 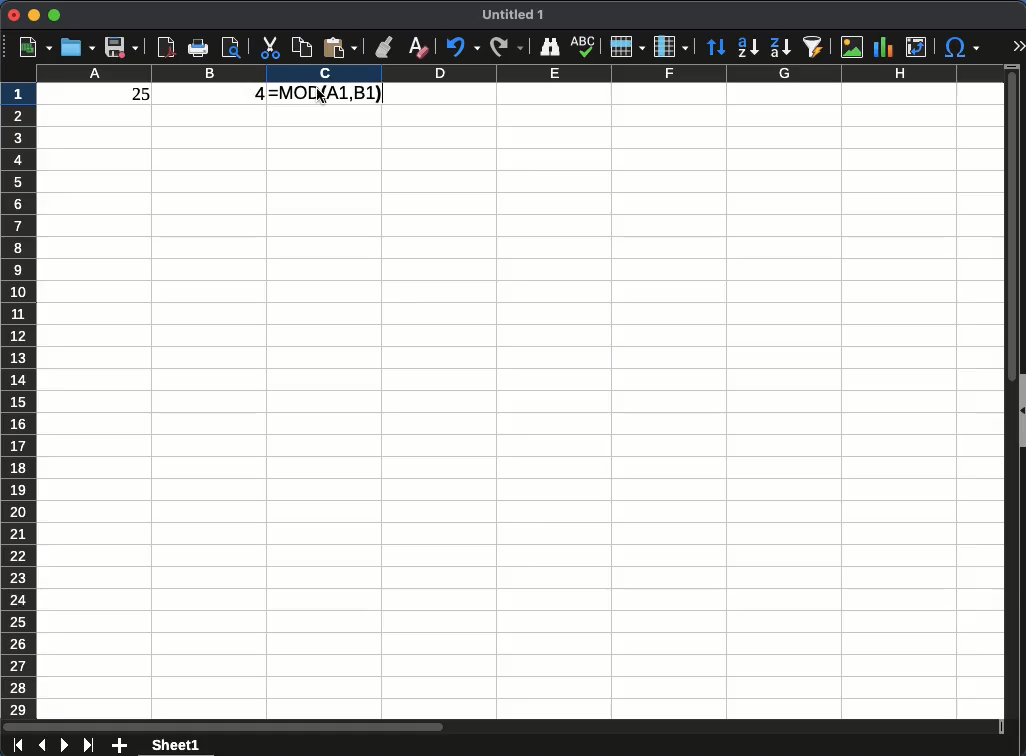 What do you see at coordinates (324, 93) in the screenshot?
I see `=MOD(A1, B1)` at bounding box center [324, 93].